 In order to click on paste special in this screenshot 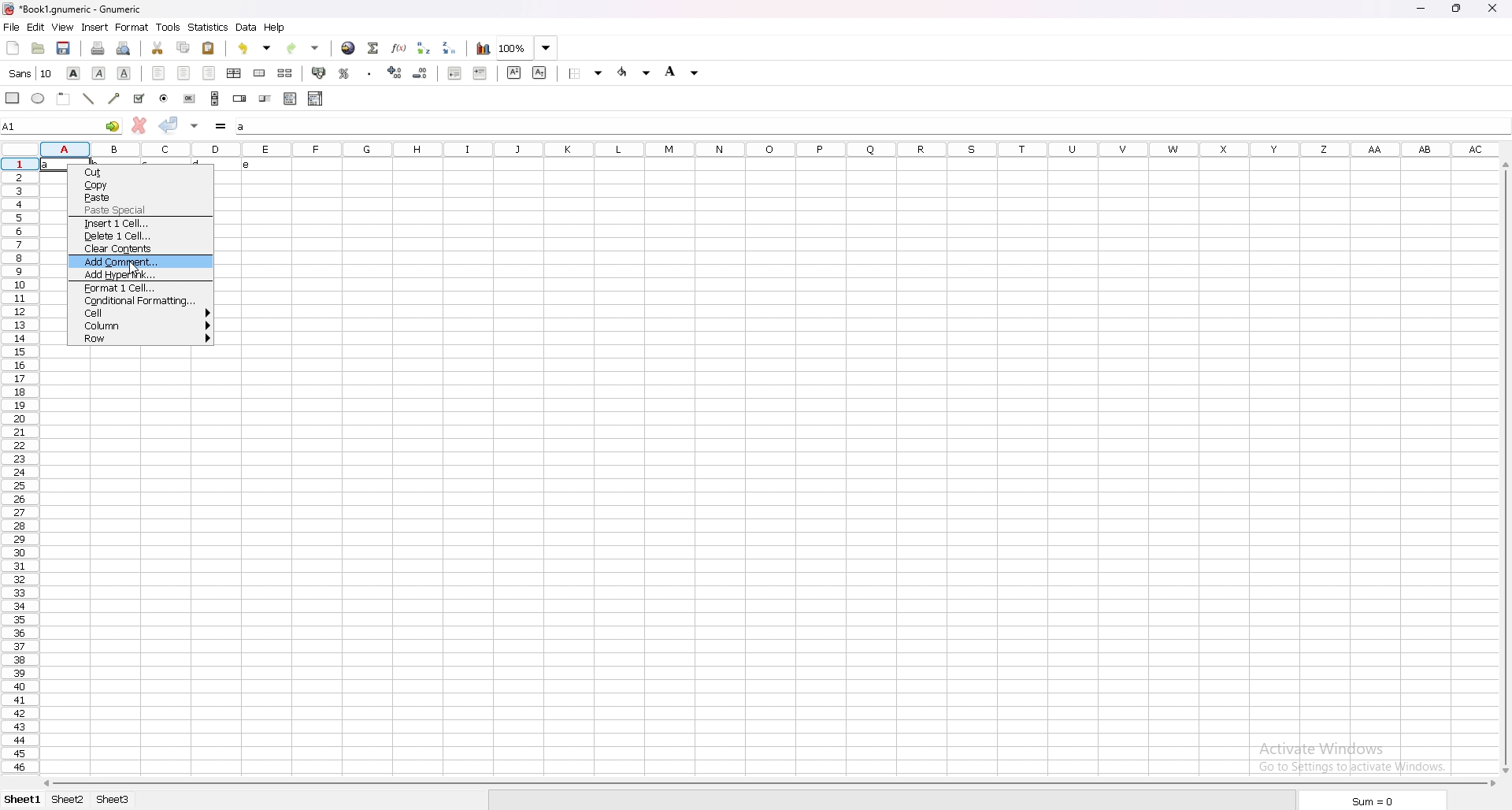, I will do `click(142, 210)`.